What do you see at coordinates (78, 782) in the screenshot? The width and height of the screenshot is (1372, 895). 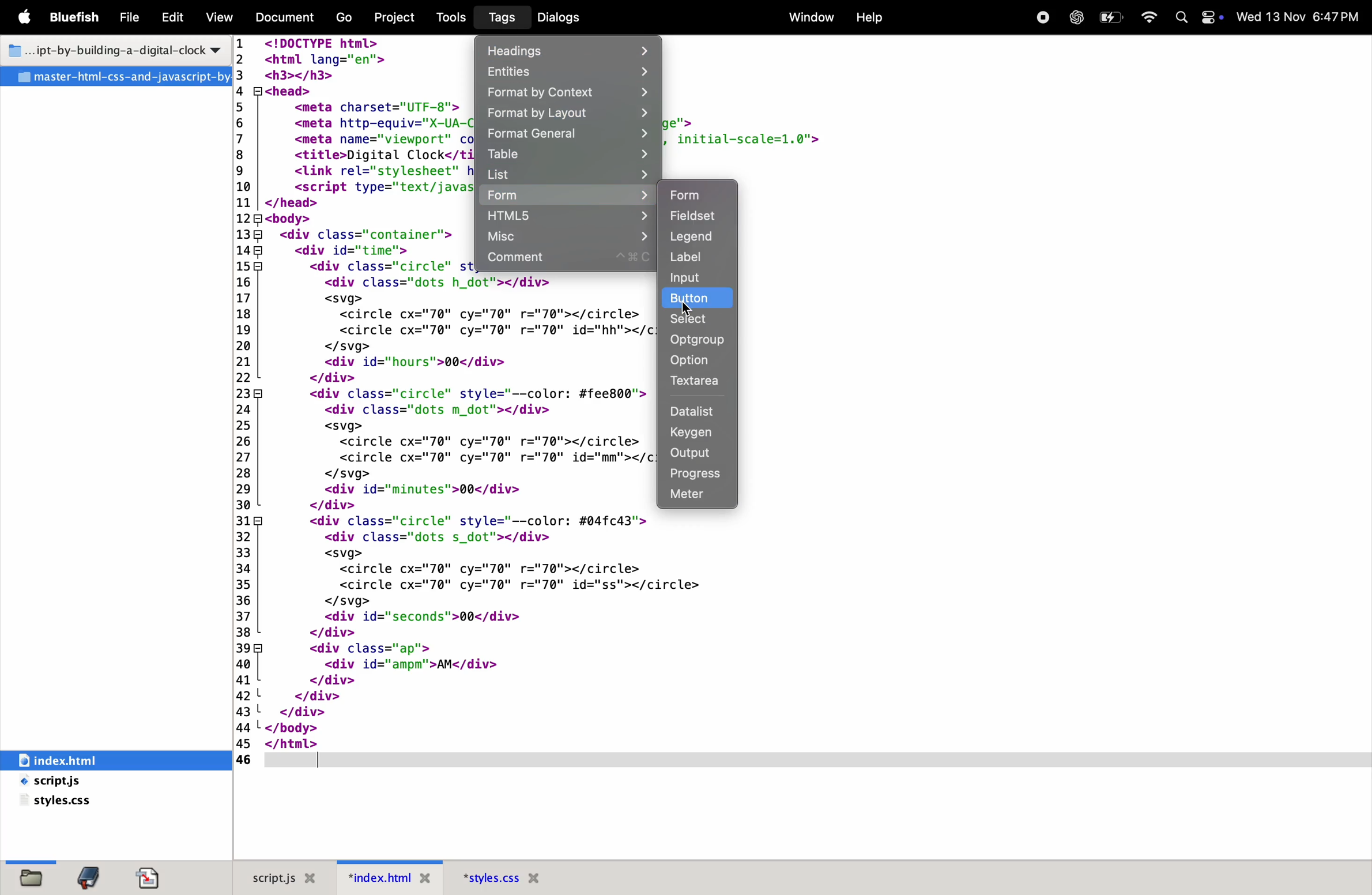 I see `script.js` at bounding box center [78, 782].